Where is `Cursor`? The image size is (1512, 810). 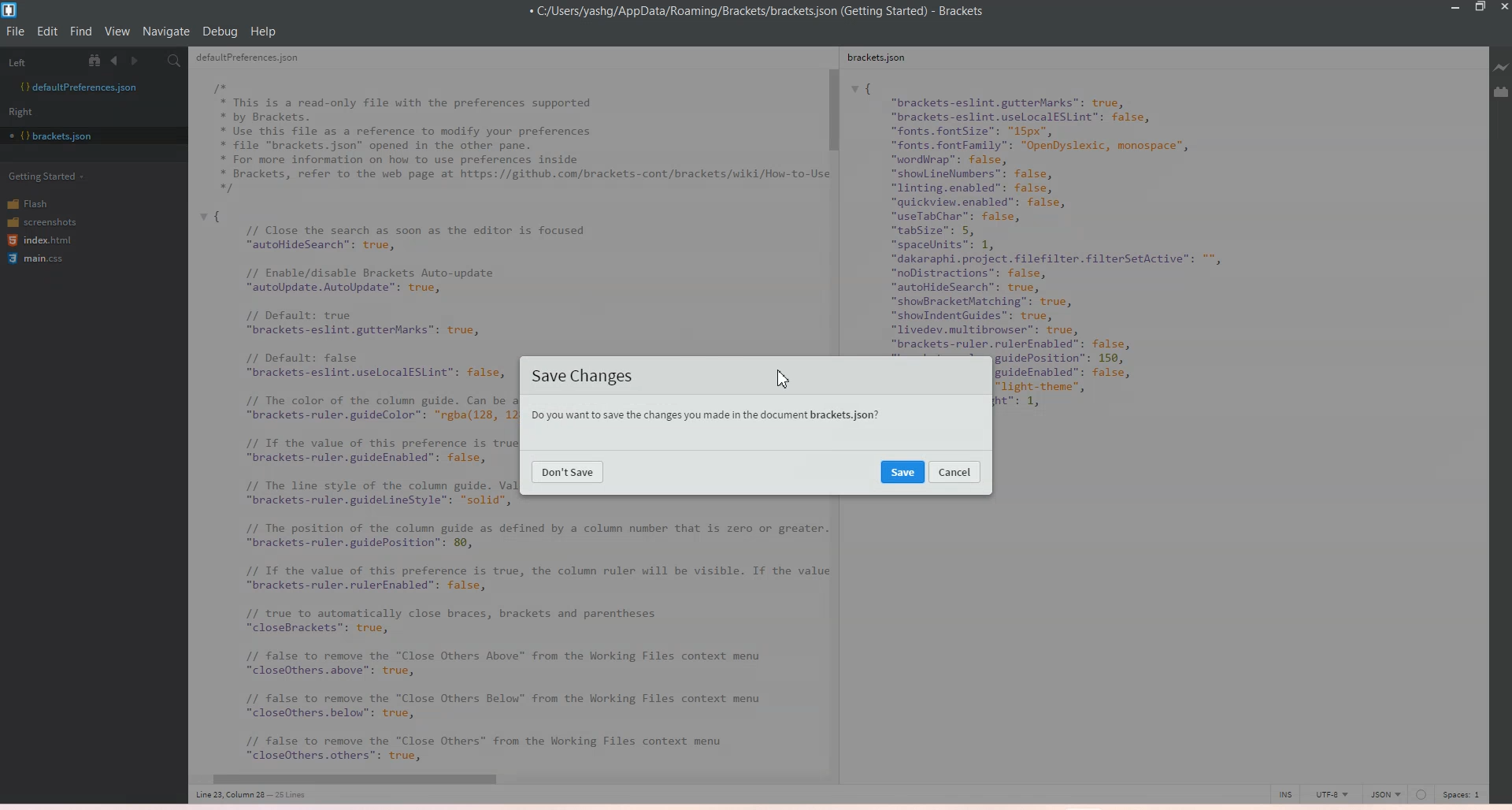 Cursor is located at coordinates (782, 377).